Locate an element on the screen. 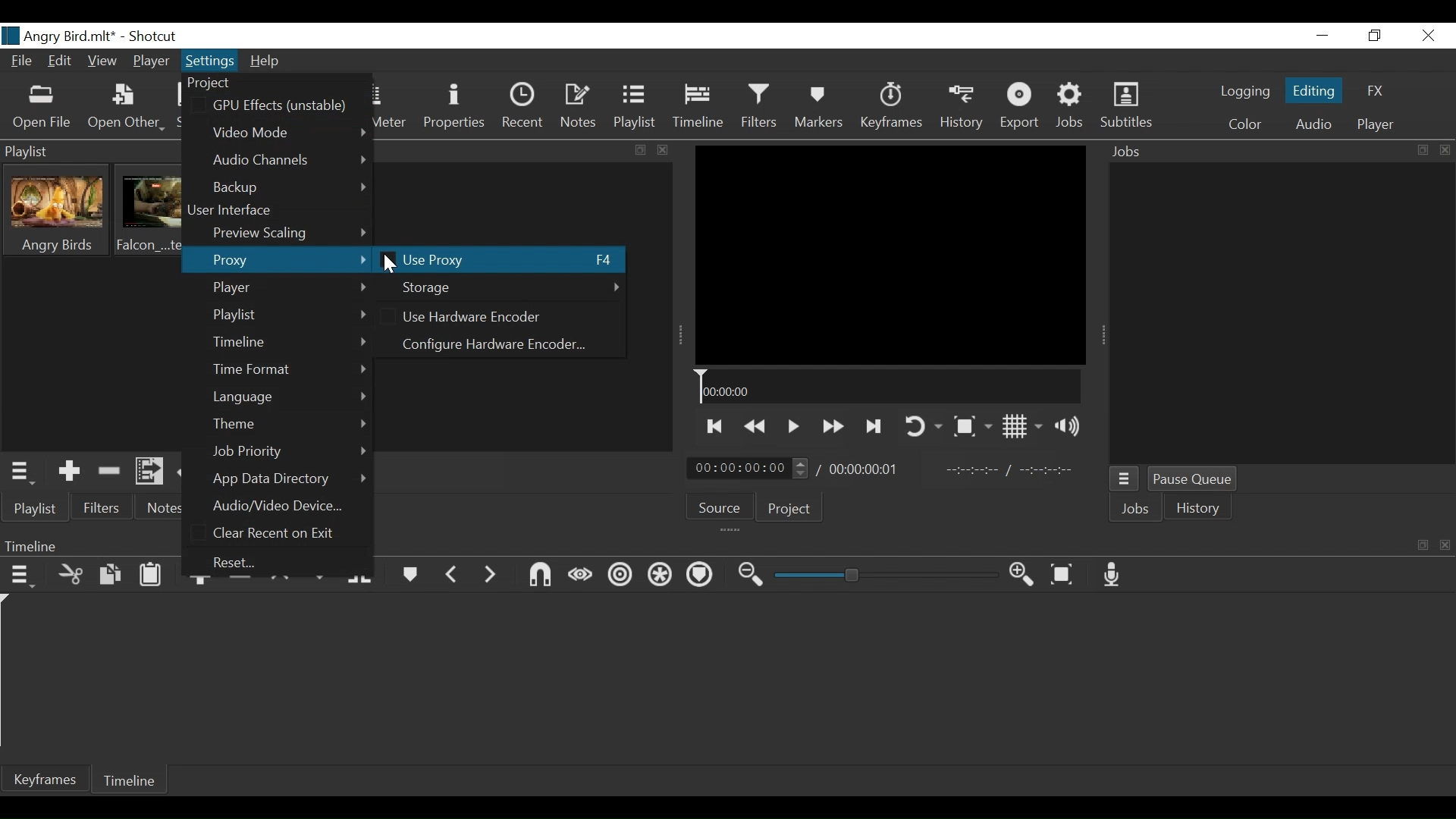 The height and width of the screenshot is (819, 1456). User Interface is located at coordinates (237, 211).